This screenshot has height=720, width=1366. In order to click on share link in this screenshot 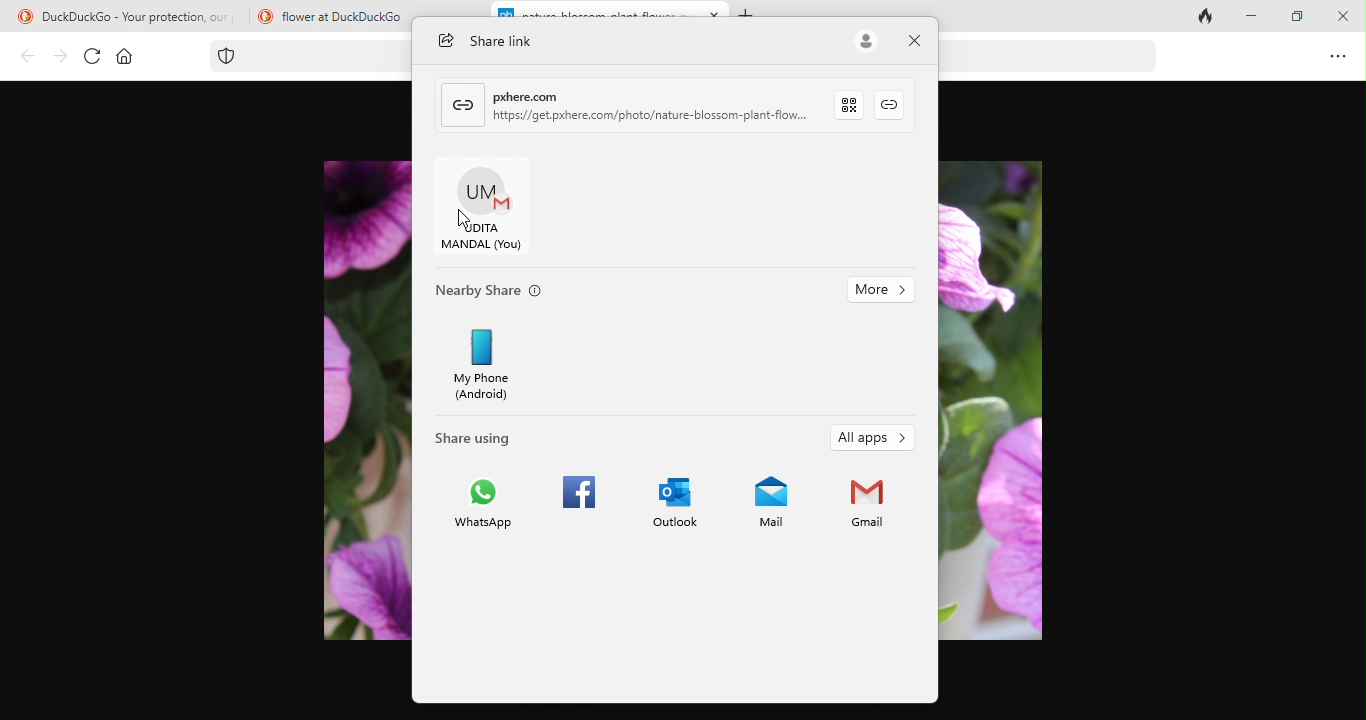, I will do `click(496, 41)`.